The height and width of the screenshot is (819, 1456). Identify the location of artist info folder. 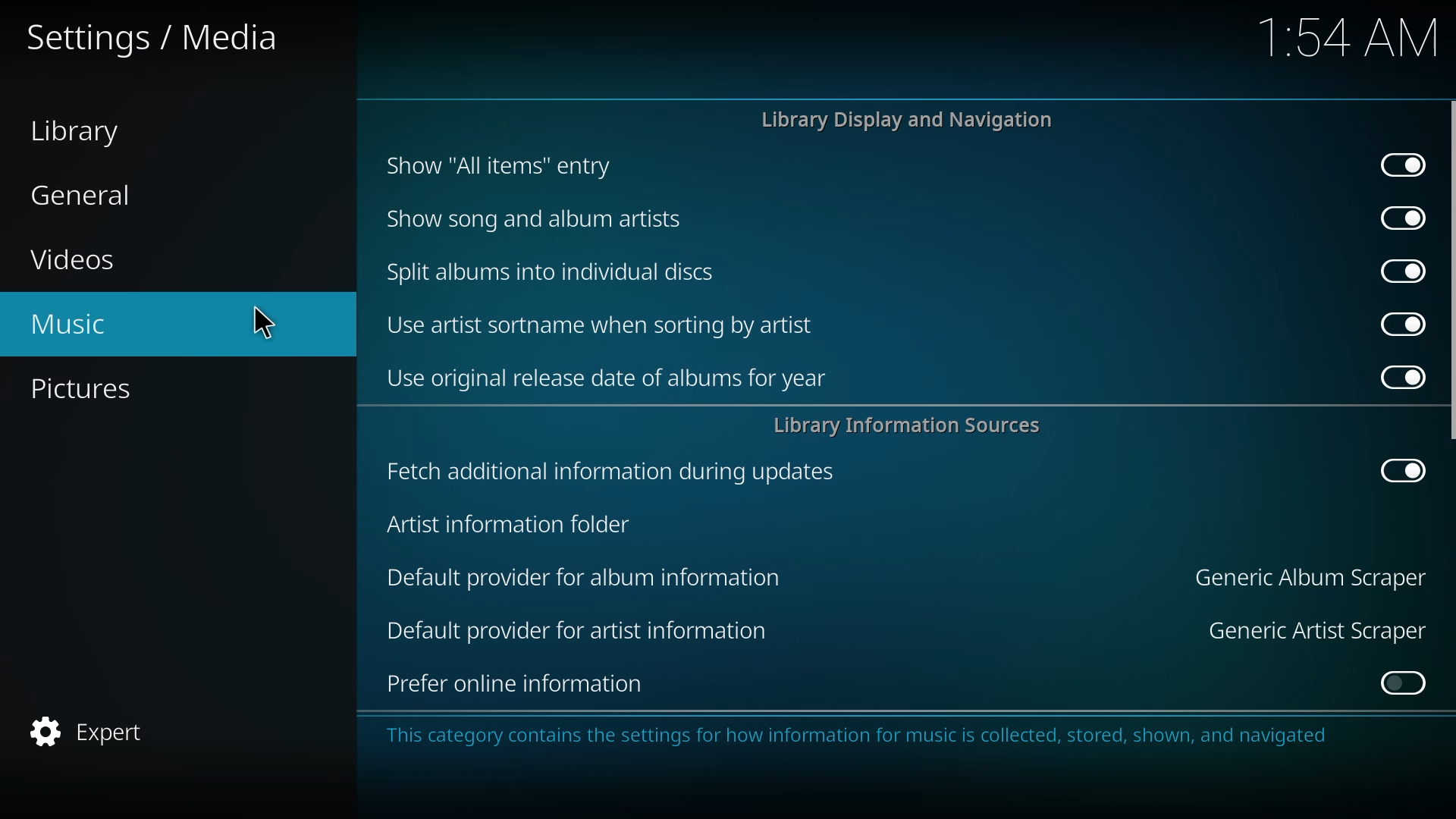
(516, 526).